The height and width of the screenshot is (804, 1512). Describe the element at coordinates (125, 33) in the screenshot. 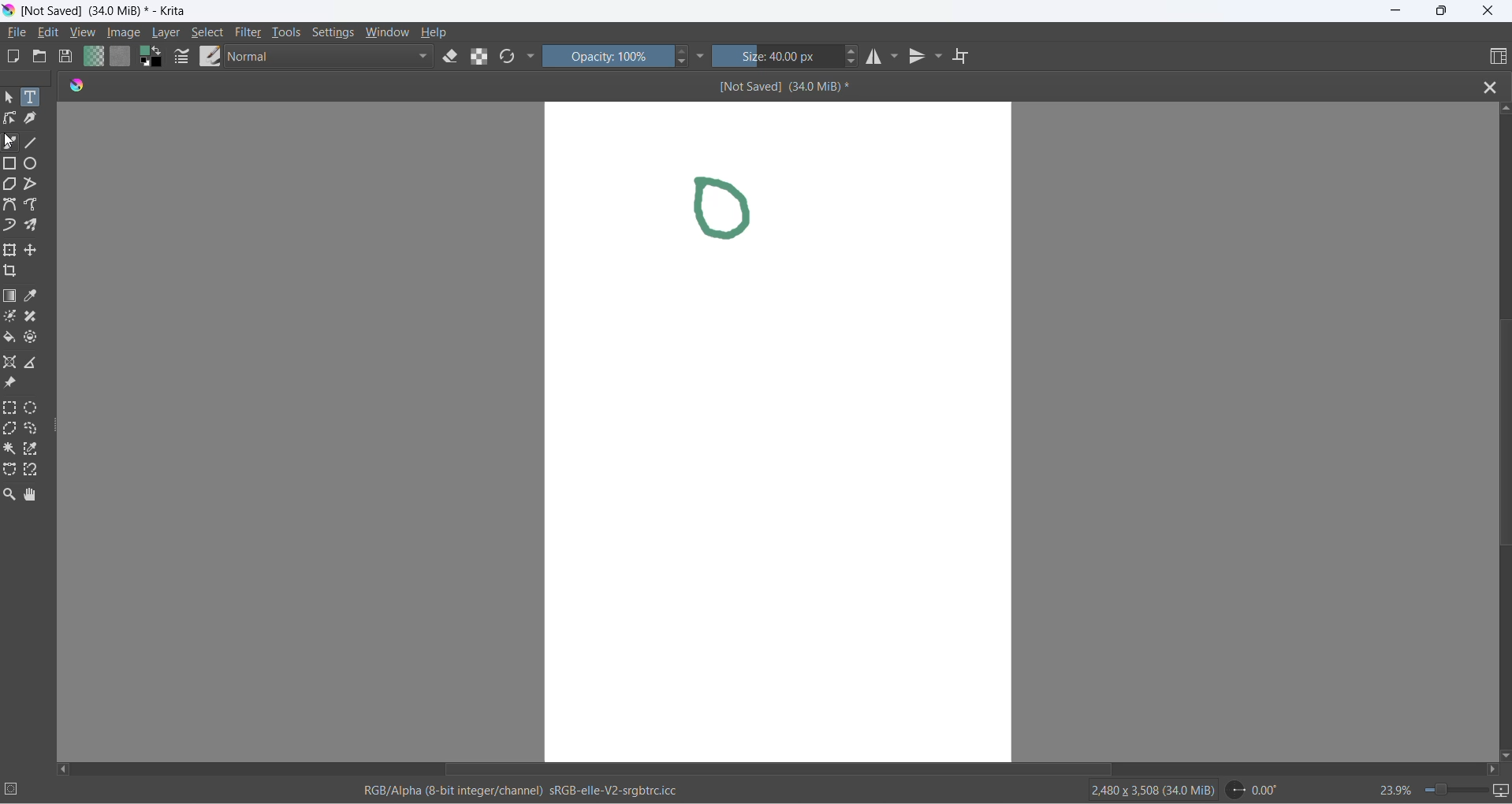

I see `image` at that location.